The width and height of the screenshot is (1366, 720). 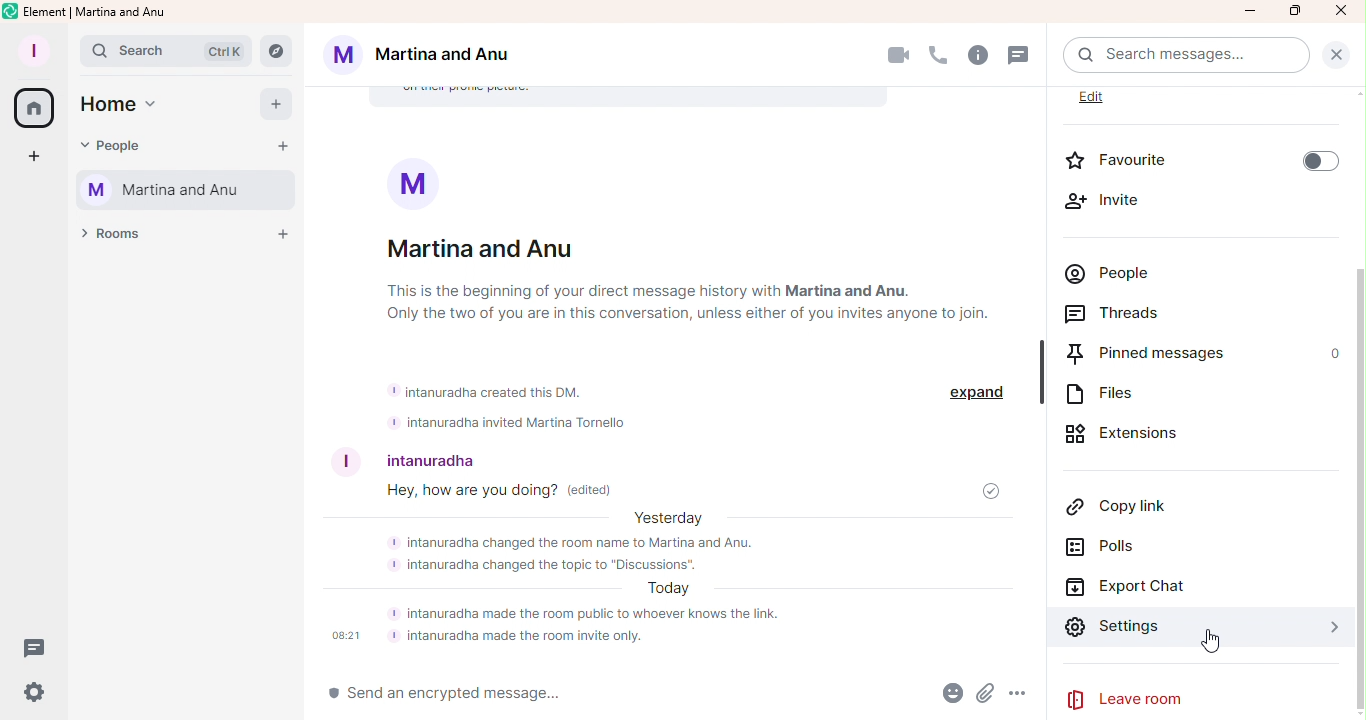 I want to click on Bot messages, so click(x=671, y=584).